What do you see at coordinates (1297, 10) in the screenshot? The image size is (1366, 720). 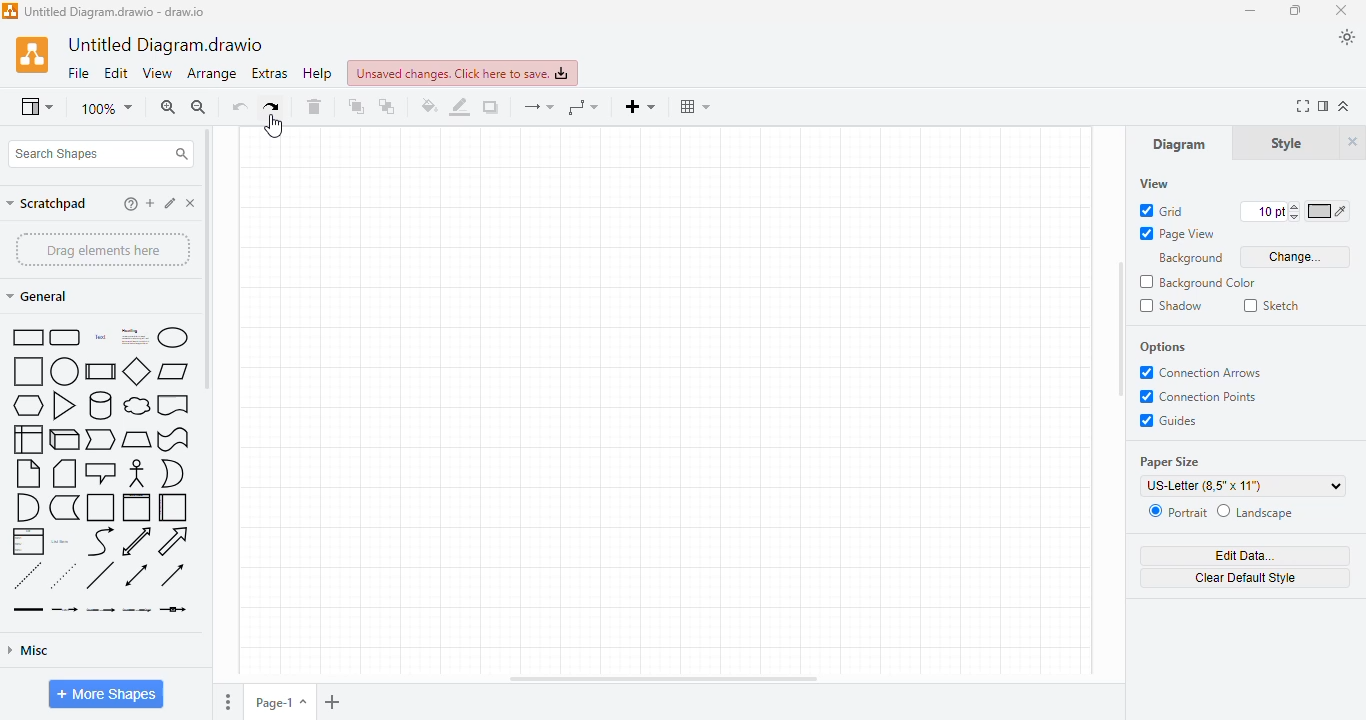 I see `maximize` at bounding box center [1297, 10].